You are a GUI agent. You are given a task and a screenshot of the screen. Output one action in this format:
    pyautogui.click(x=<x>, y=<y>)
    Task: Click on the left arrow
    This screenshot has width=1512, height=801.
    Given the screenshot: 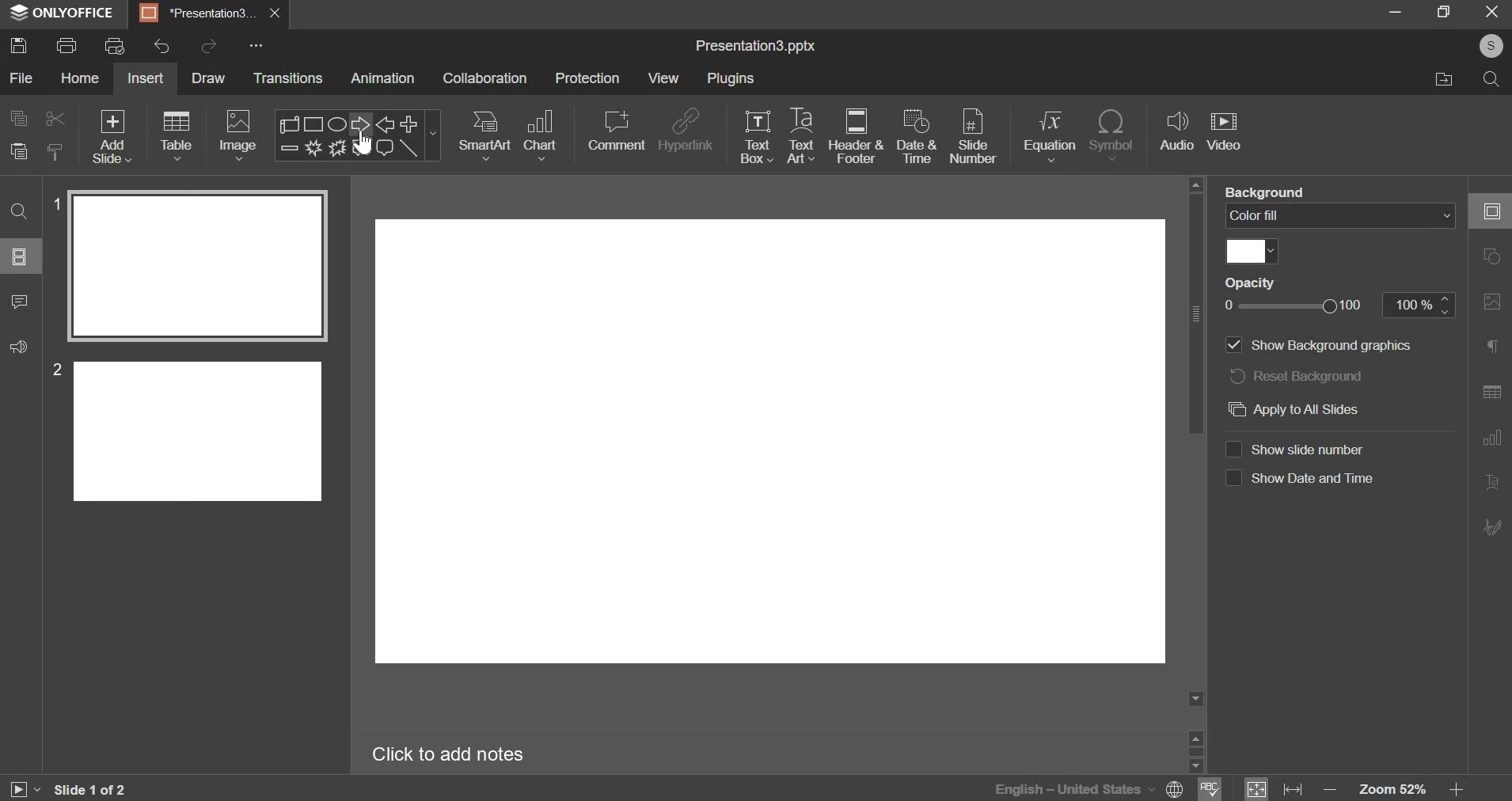 What is the action you would take?
    pyautogui.click(x=385, y=124)
    